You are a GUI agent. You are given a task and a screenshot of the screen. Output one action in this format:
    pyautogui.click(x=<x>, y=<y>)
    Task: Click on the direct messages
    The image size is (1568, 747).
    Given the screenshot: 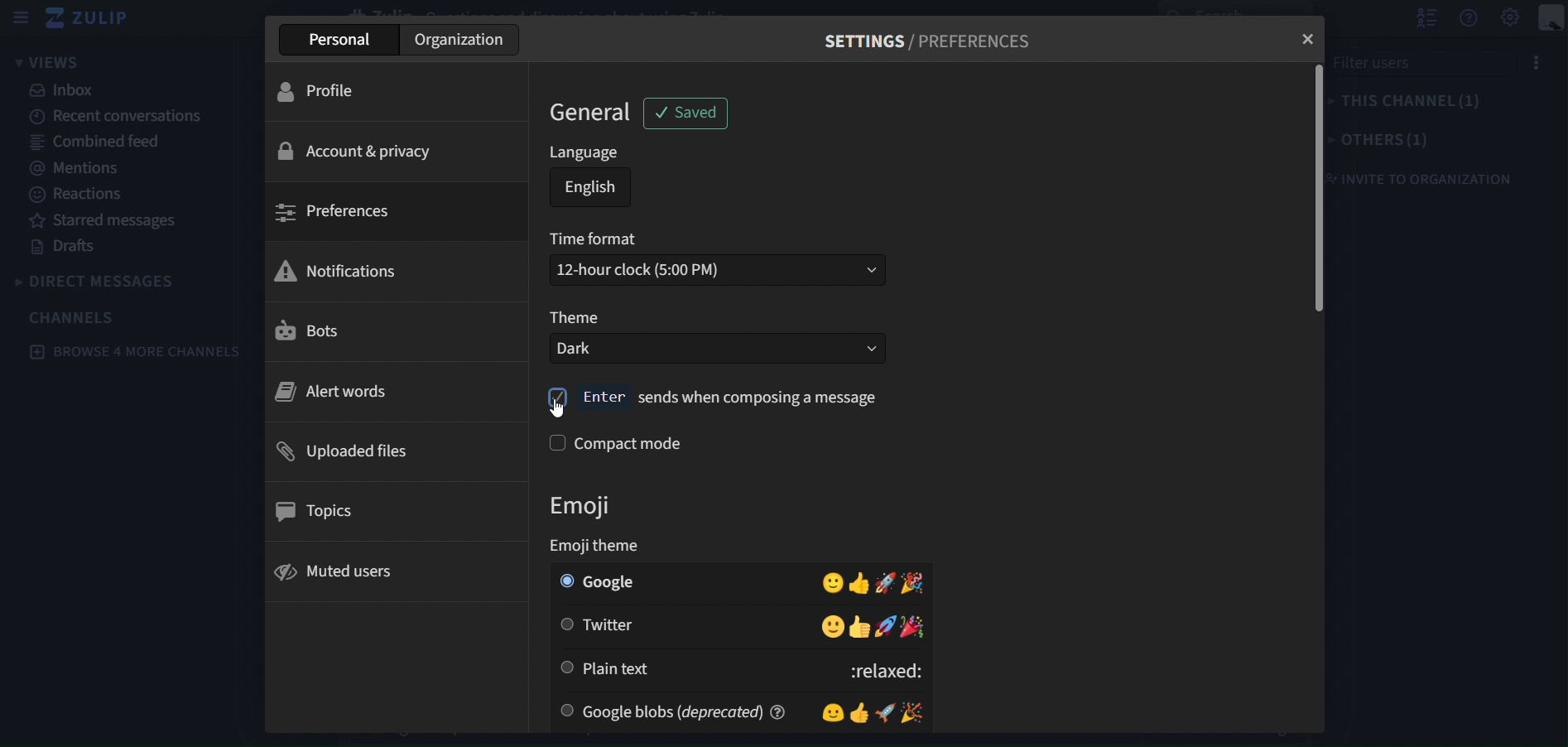 What is the action you would take?
    pyautogui.click(x=107, y=282)
    